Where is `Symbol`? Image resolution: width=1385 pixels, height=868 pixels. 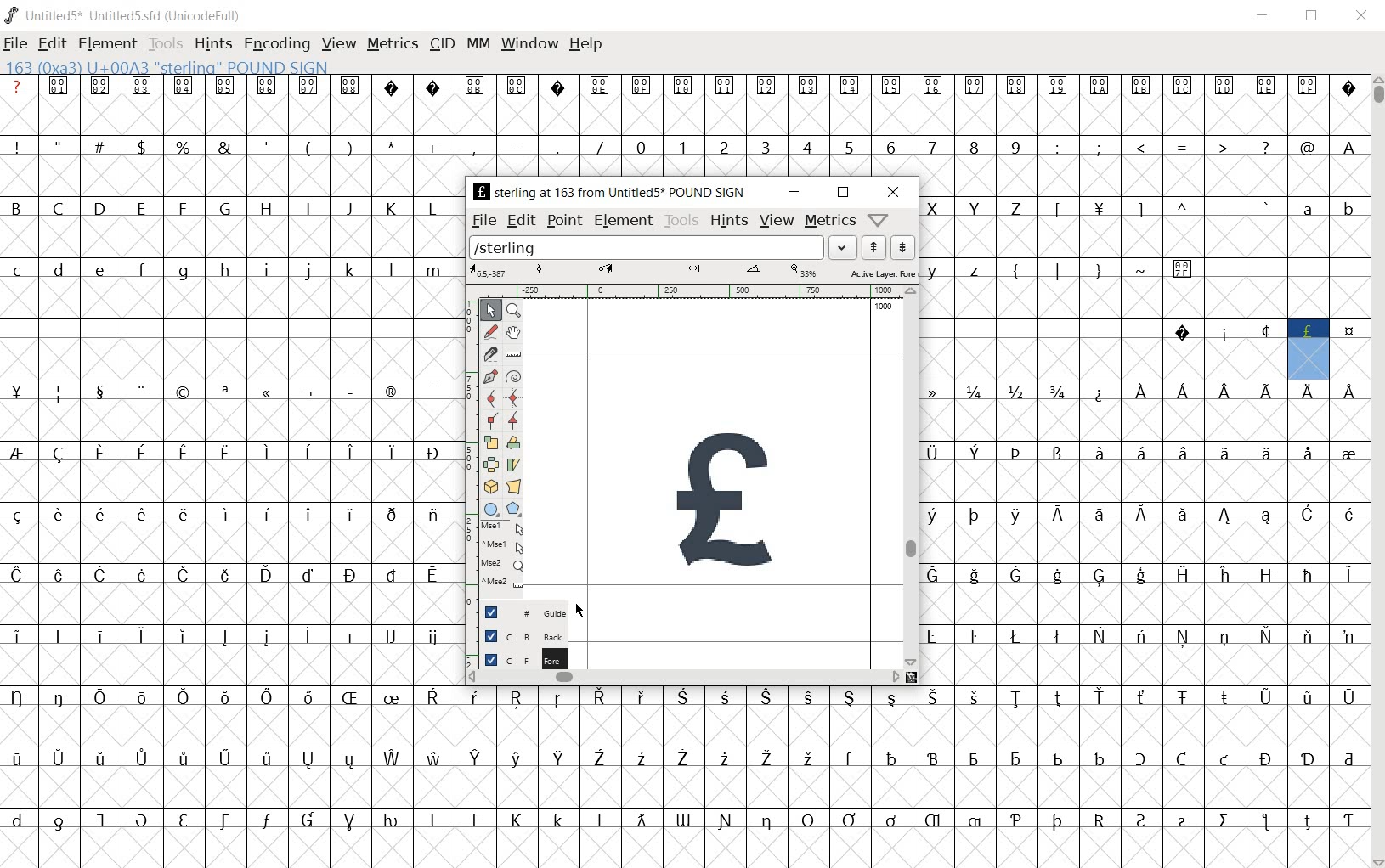
Symbol is located at coordinates (684, 86).